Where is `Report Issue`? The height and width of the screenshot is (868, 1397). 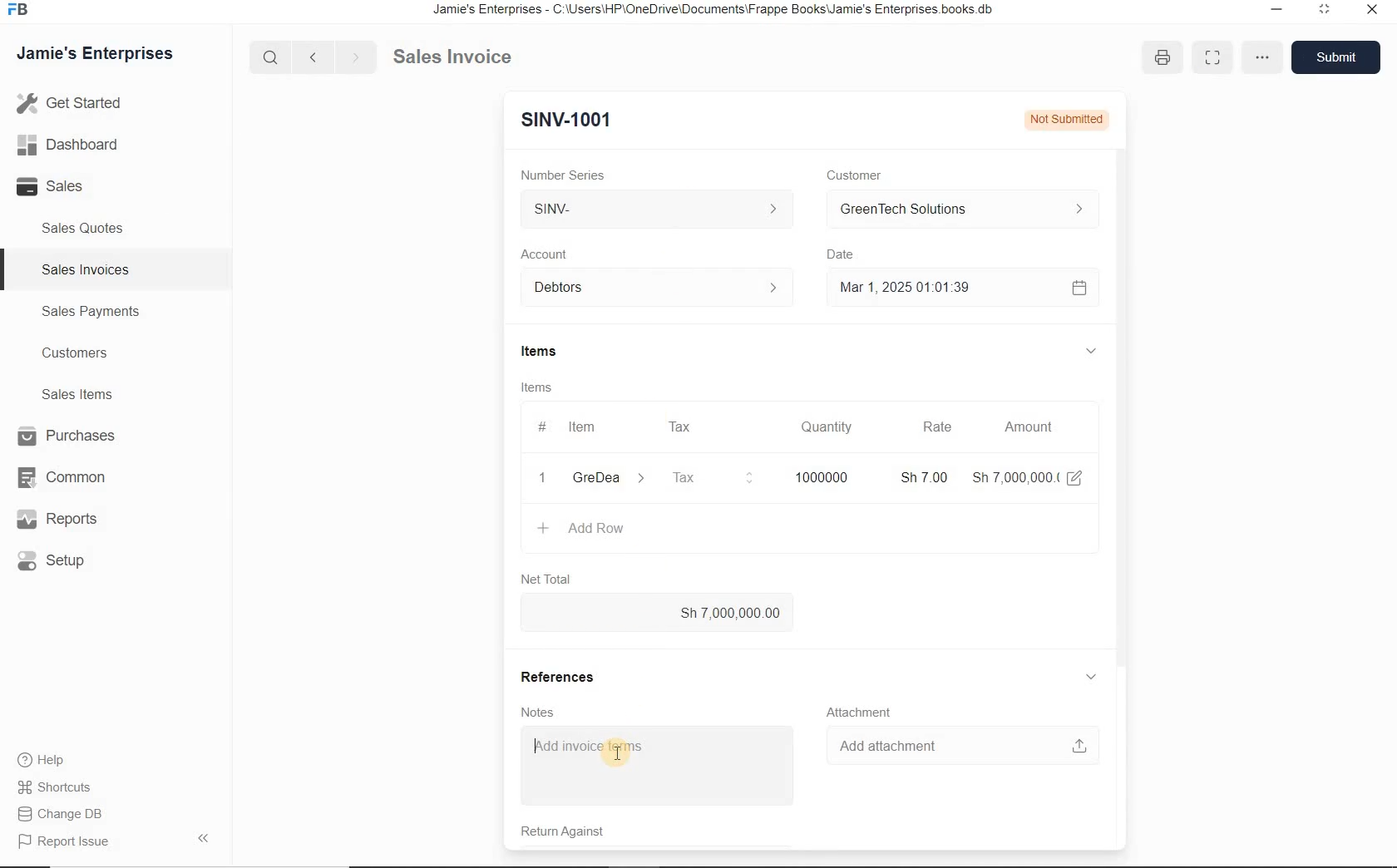 Report Issue is located at coordinates (62, 842).